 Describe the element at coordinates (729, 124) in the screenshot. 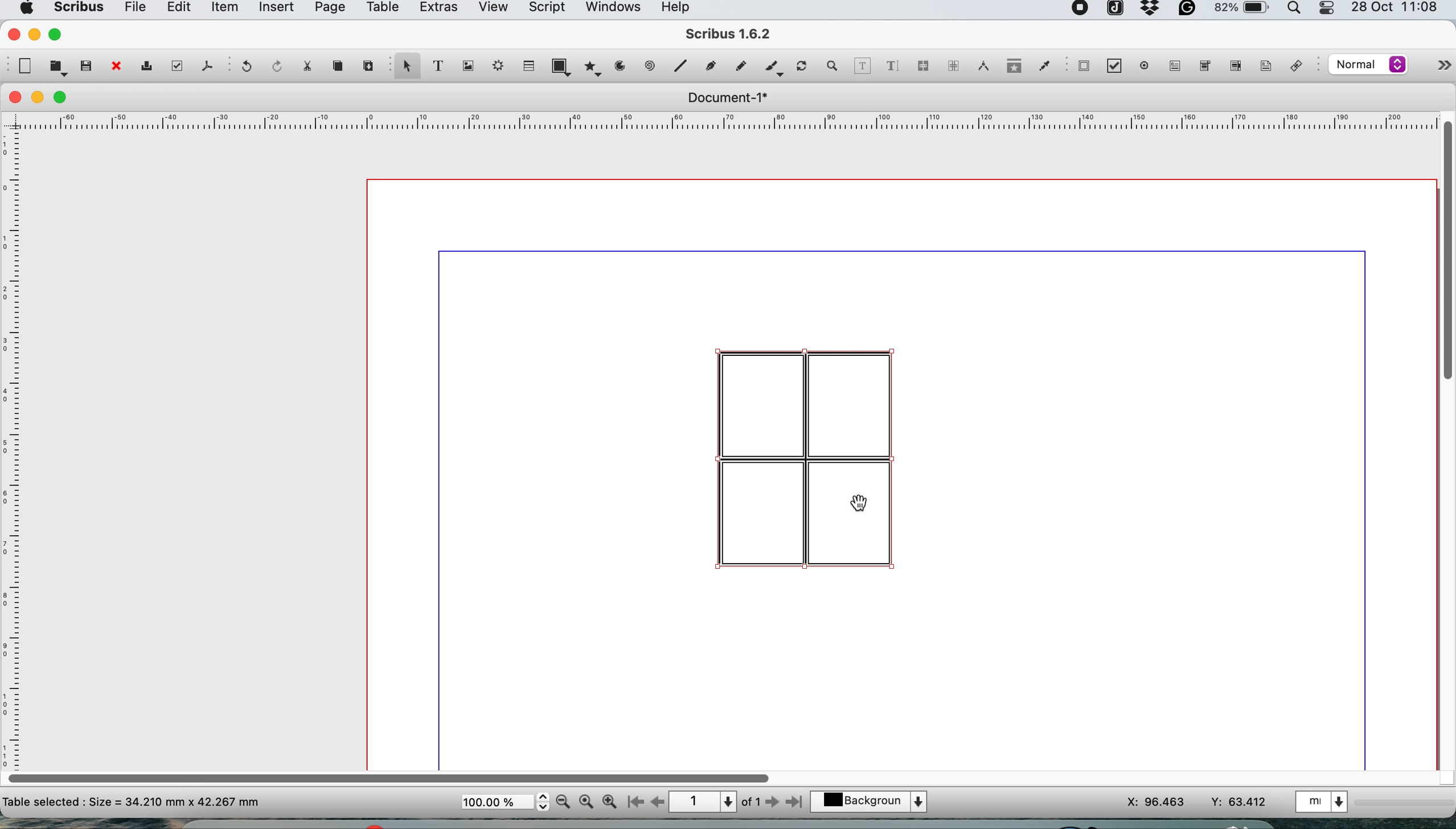

I see `horizontal scale` at that location.